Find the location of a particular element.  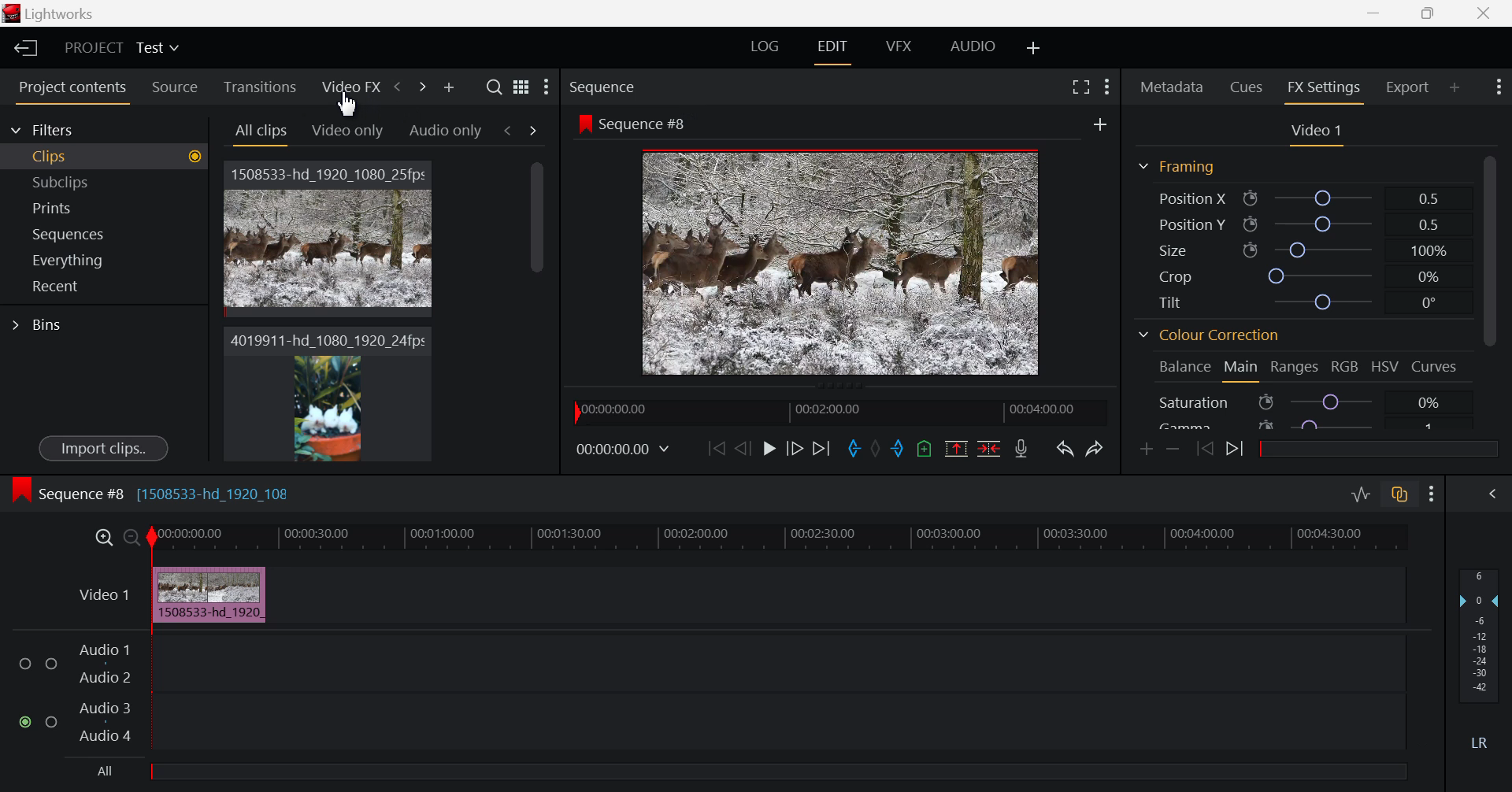

Back to Homepage is located at coordinates (22, 50).